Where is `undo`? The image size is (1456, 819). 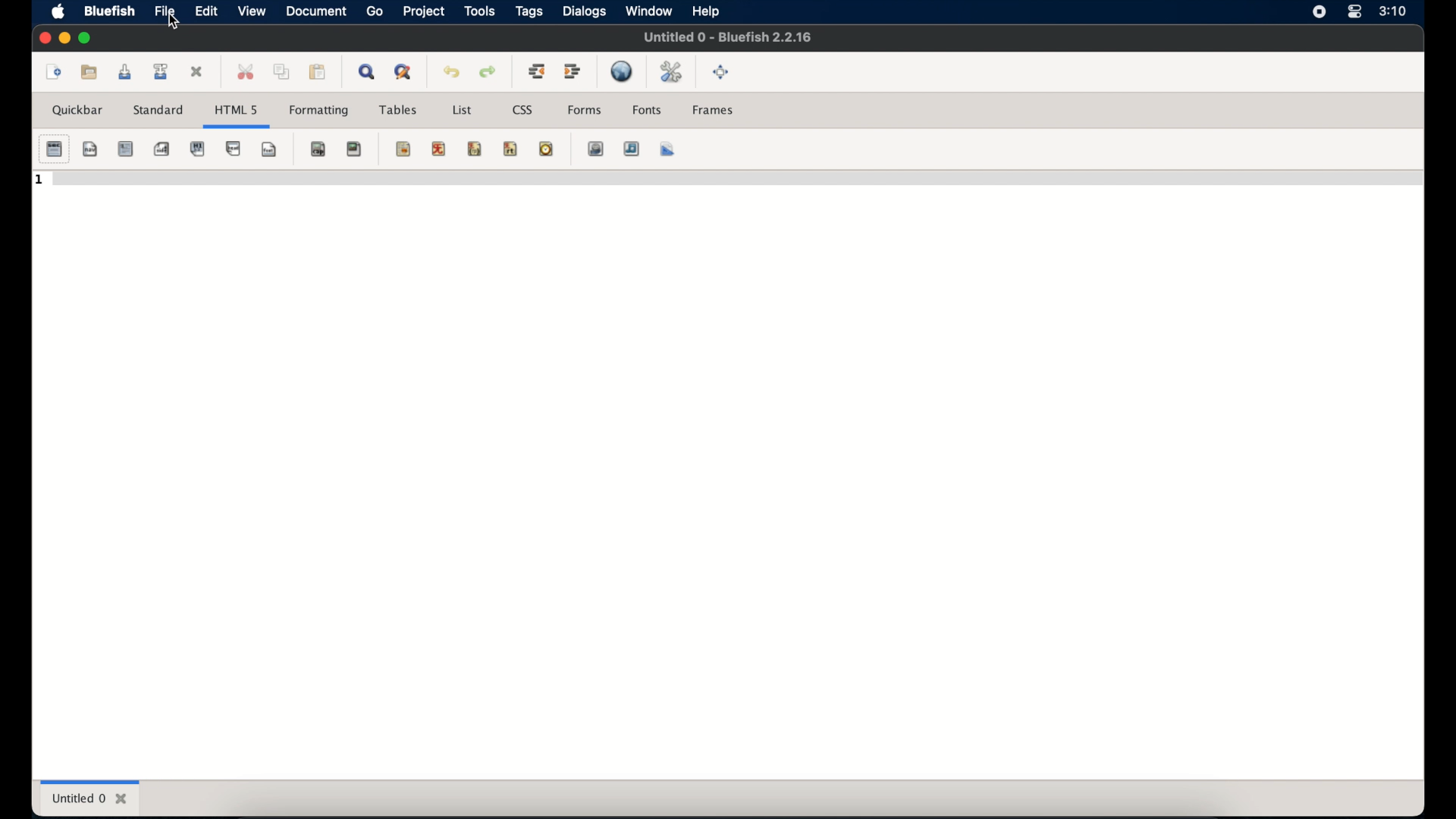
undo is located at coordinates (452, 72).